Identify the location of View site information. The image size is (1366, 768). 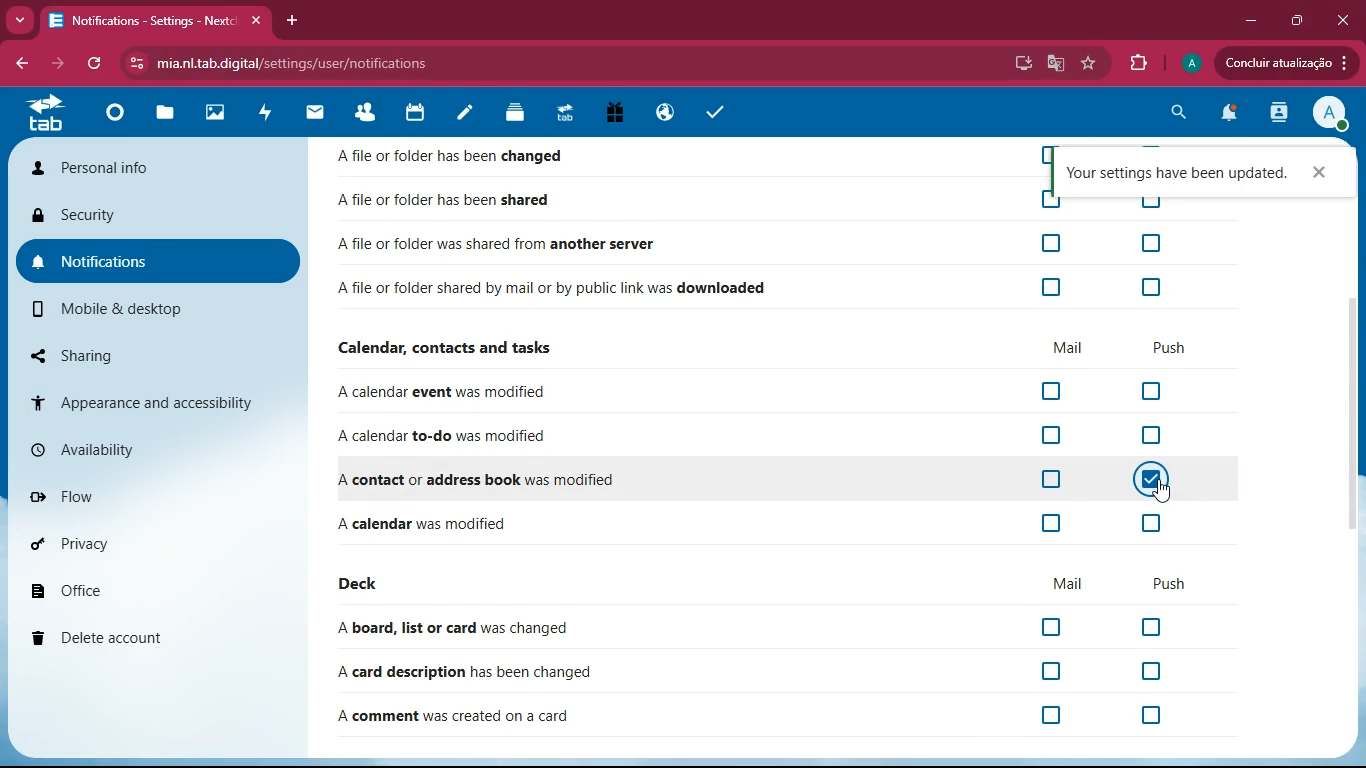
(138, 63).